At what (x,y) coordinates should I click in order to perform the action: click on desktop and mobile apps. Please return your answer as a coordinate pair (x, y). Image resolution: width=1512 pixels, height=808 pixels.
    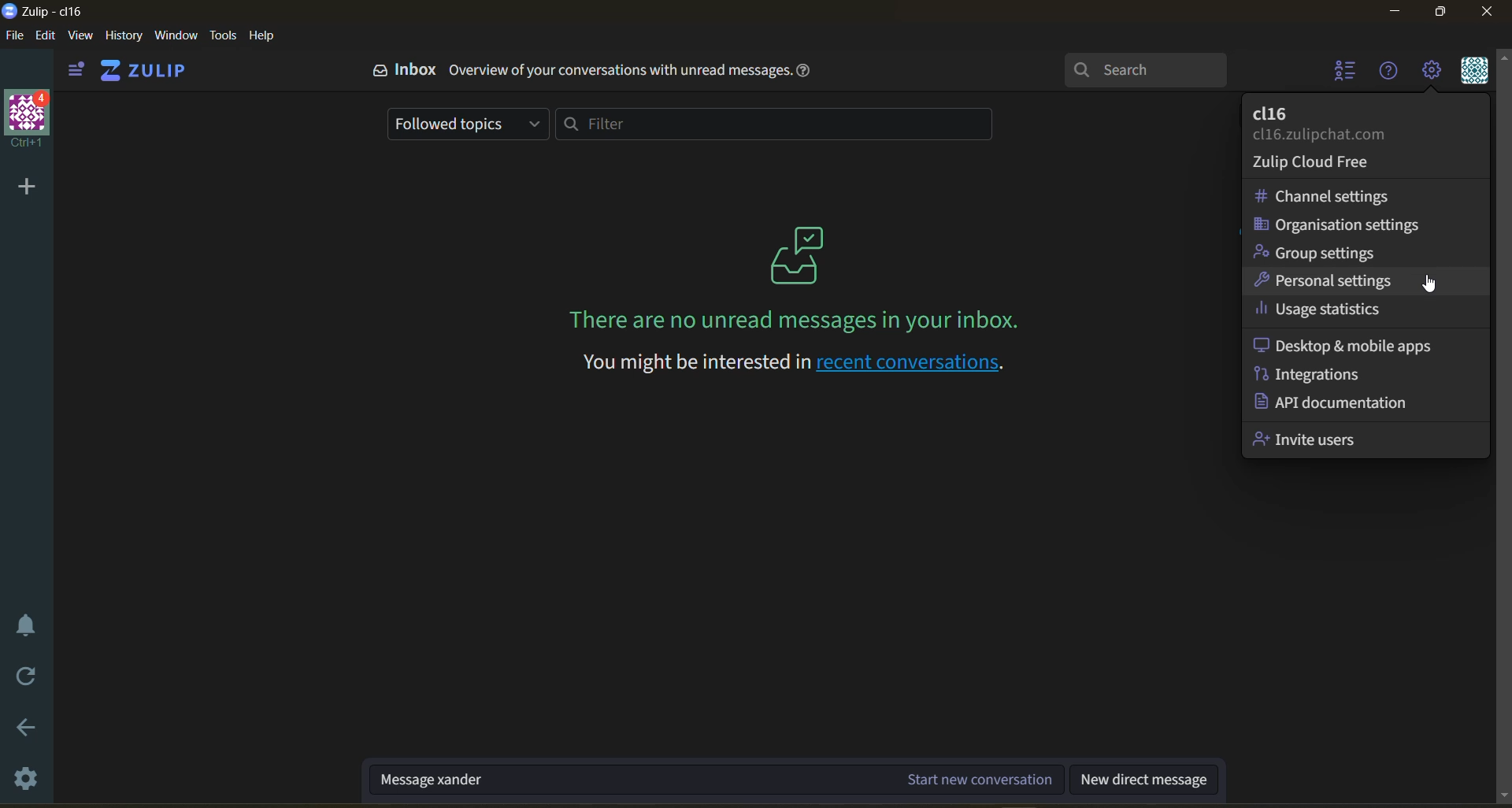
    Looking at the image, I should click on (1354, 345).